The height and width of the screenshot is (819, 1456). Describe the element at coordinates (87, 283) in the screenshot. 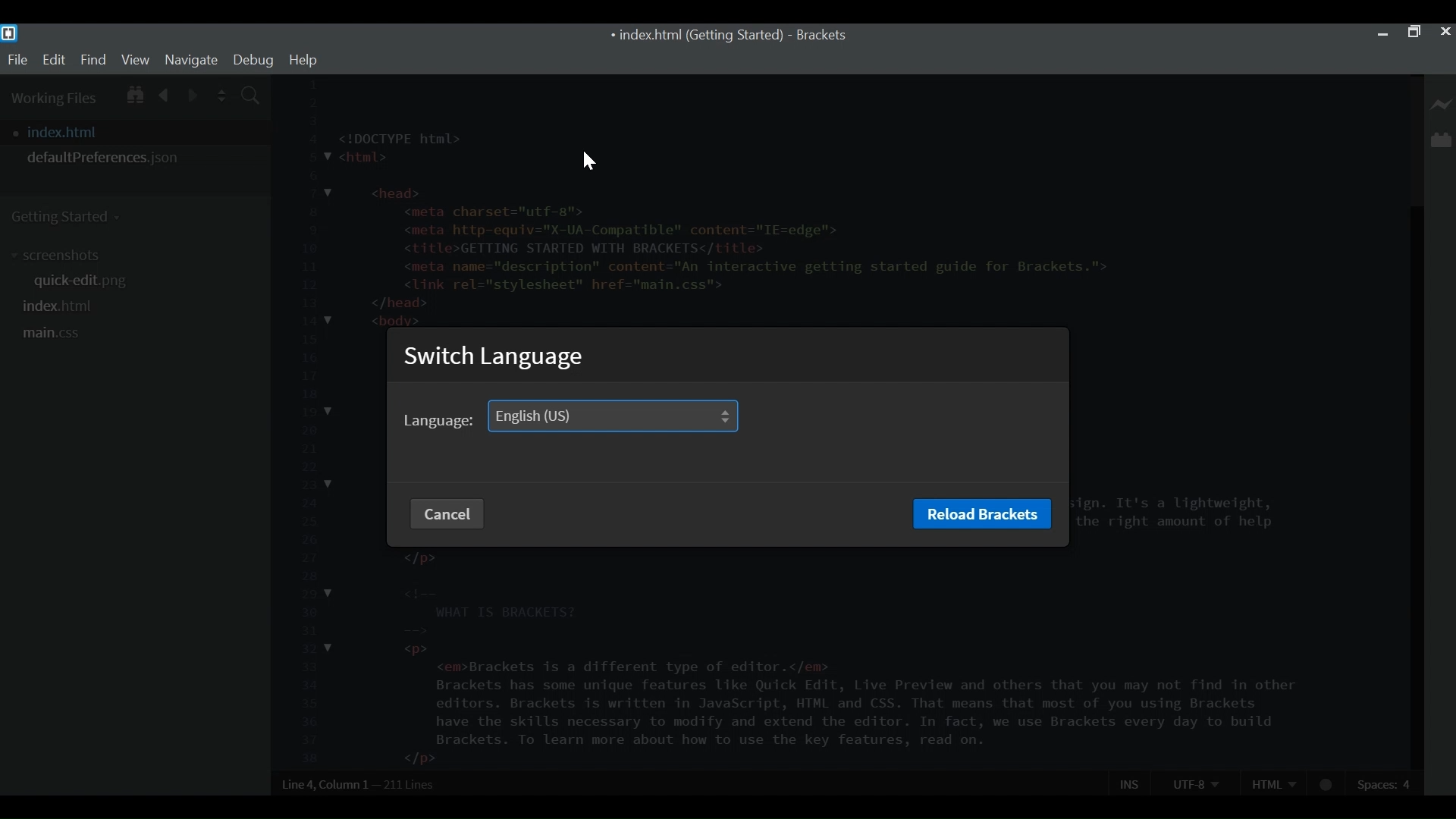

I see `quick-edit.png` at that location.